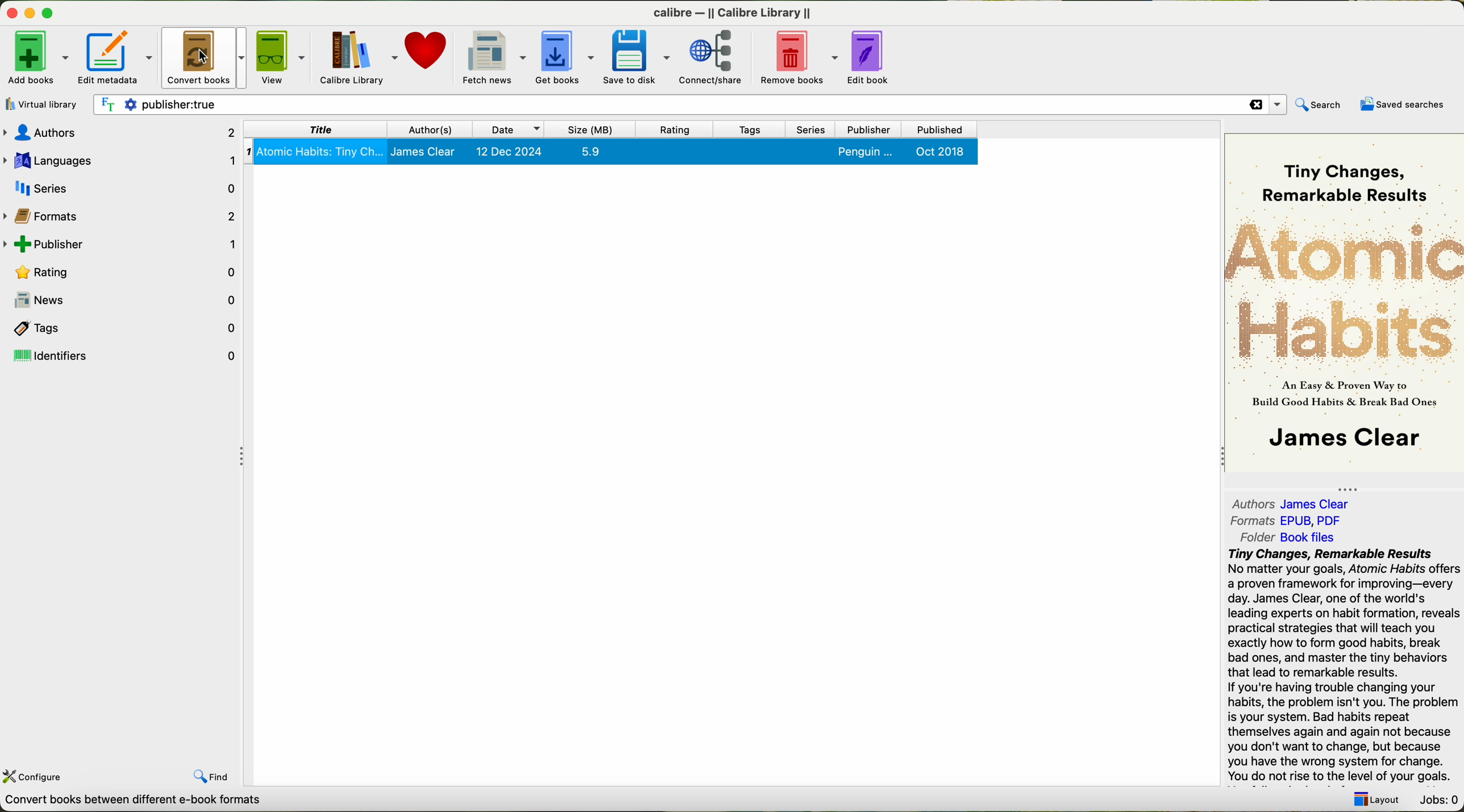  I want to click on layout, so click(1373, 799).